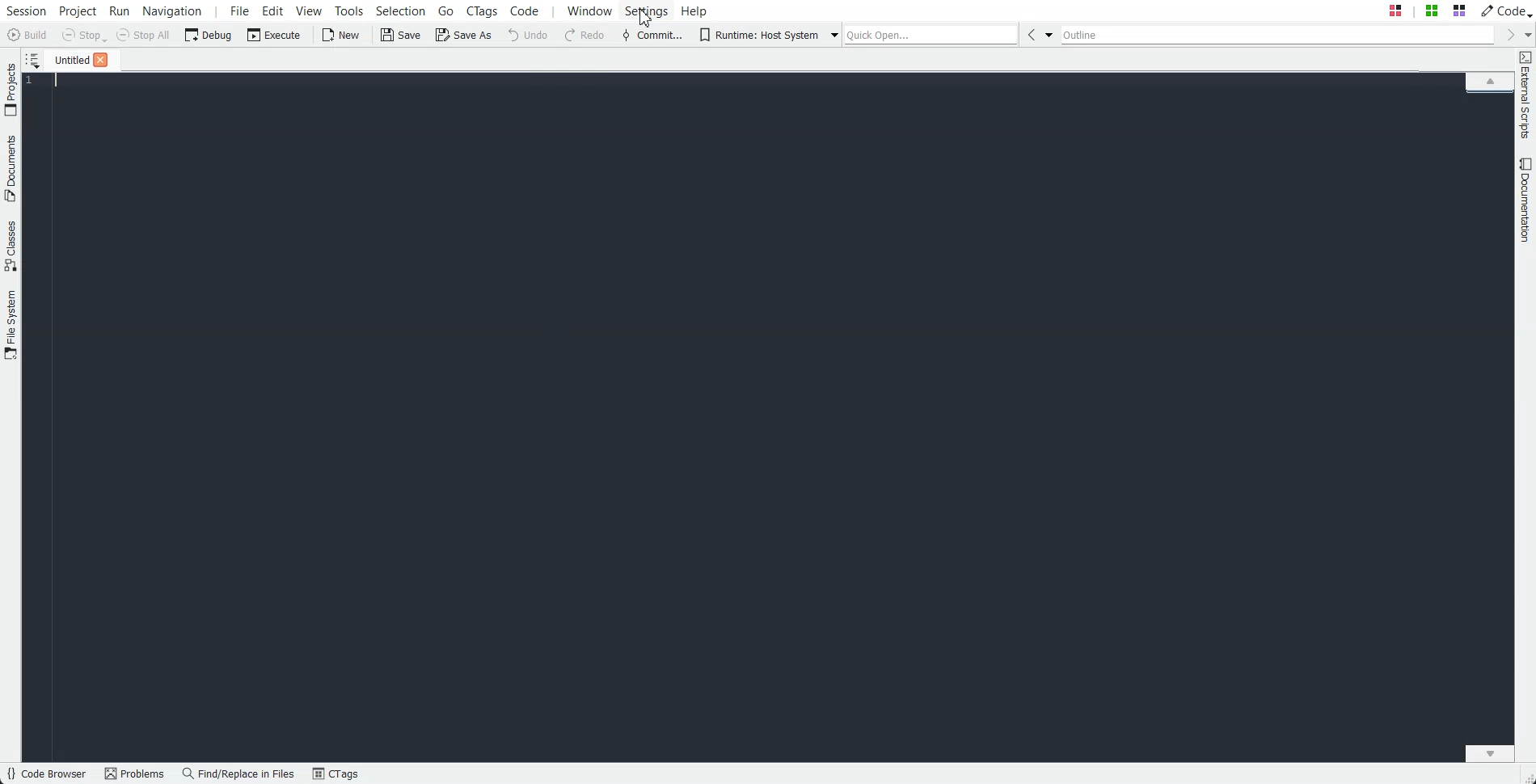  What do you see at coordinates (1031, 34) in the screenshot?
I see `Go Back` at bounding box center [1031, 34].